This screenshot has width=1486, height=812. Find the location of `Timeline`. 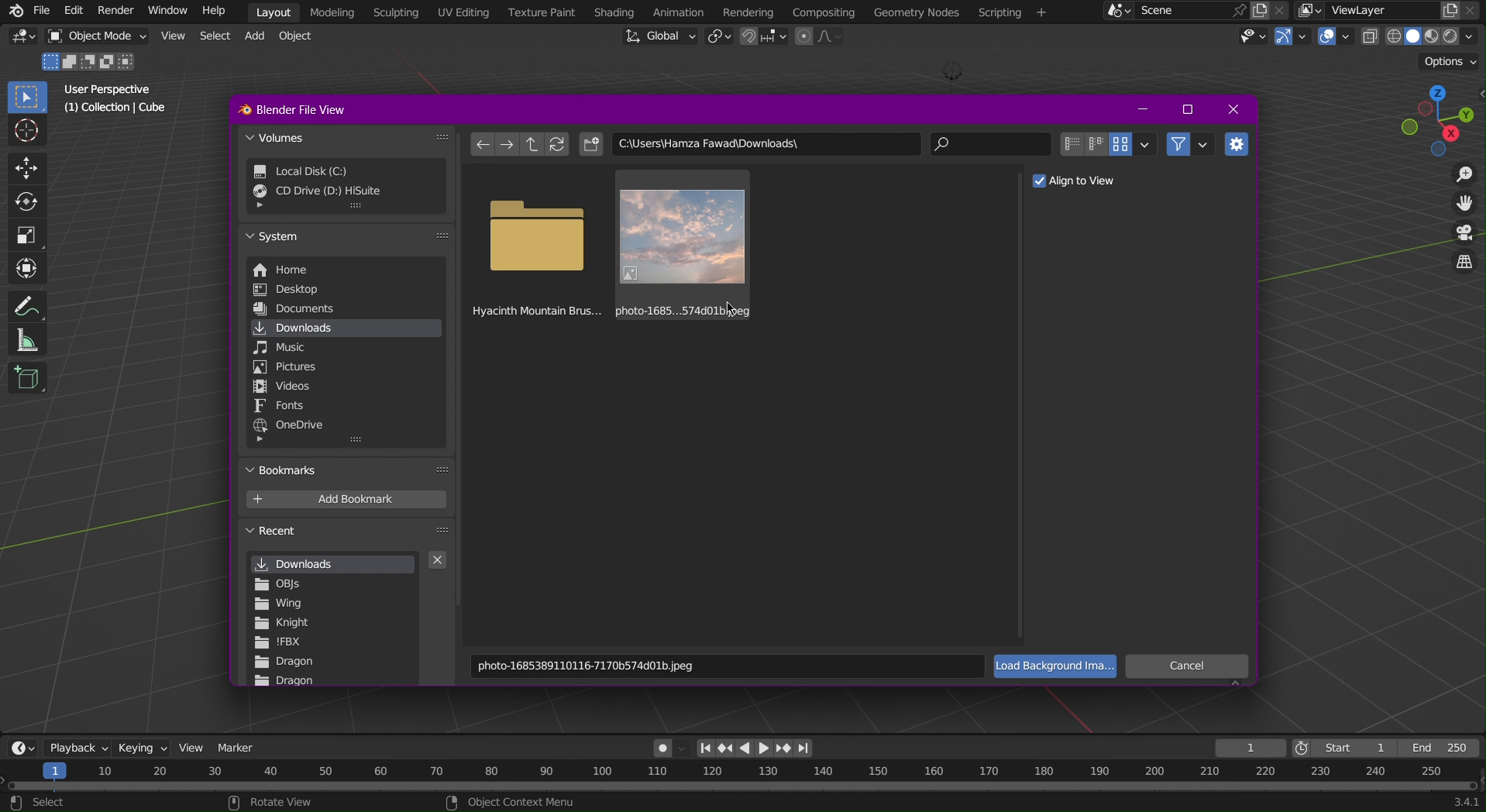

Timeline is located at coordinates (743, 787).